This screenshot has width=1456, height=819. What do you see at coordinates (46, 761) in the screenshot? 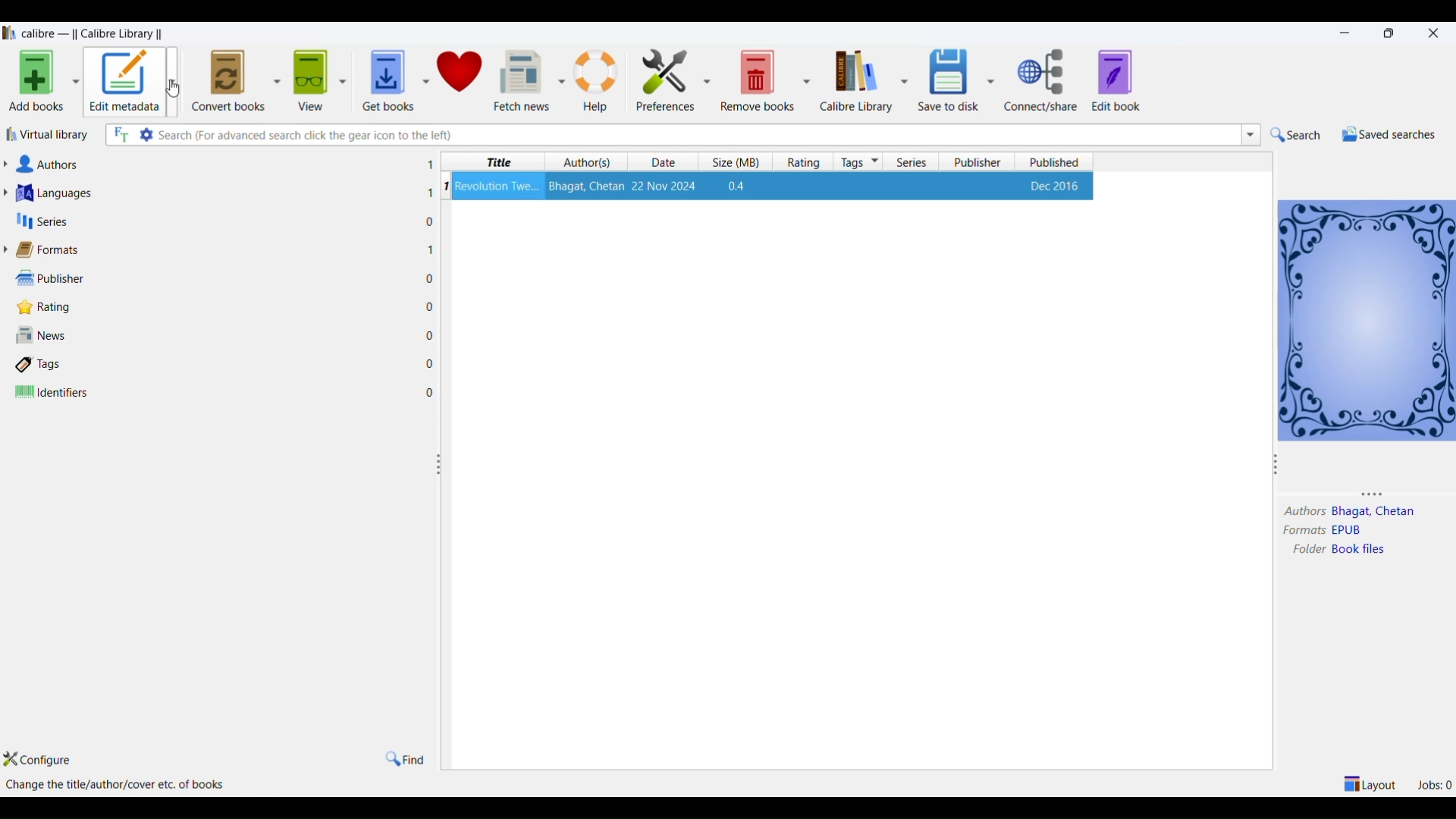
I see `configure` at bounding box center [46, 761].